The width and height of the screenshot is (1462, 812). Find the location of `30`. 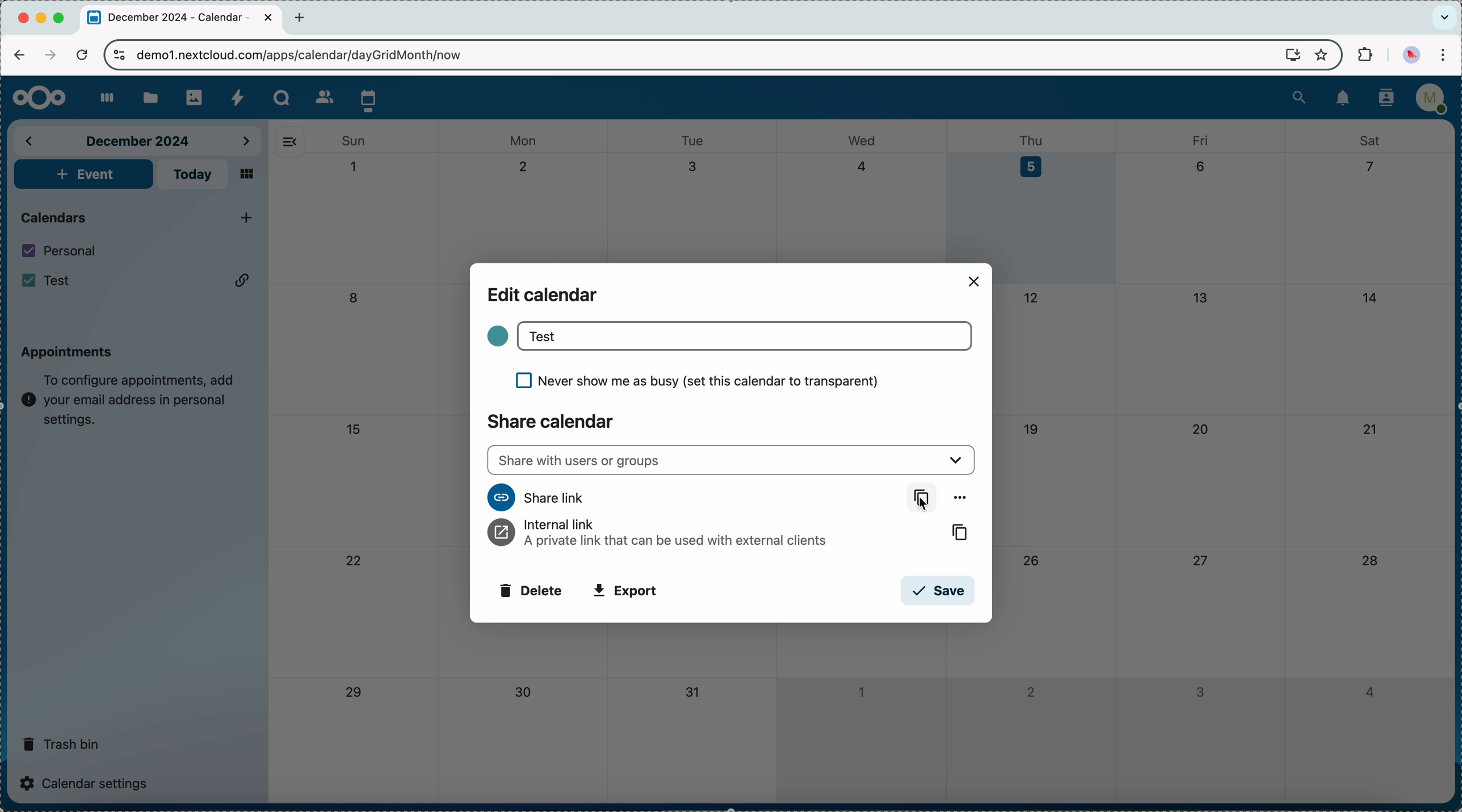

30 is located at coordinates (527, 694).